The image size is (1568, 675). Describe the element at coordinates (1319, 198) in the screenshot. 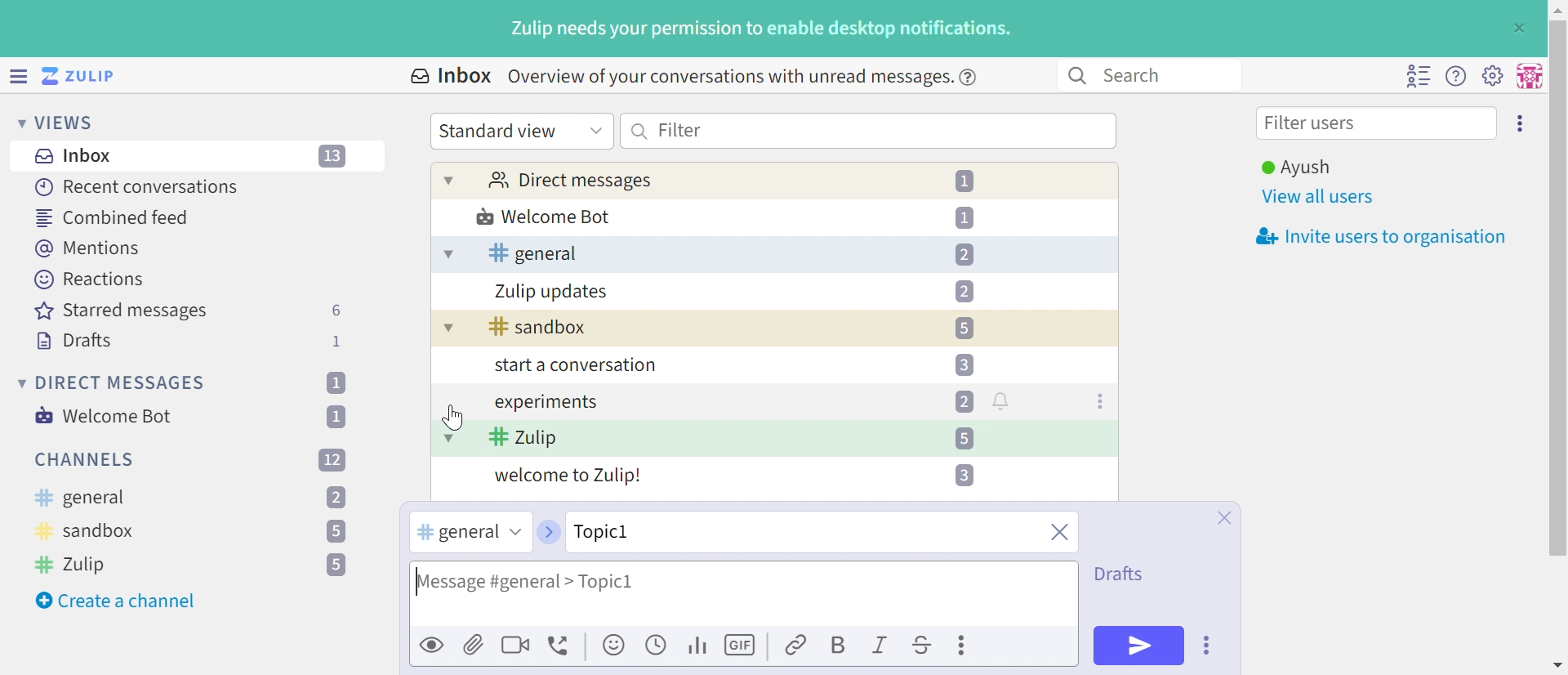

I see `View all users` at that location.